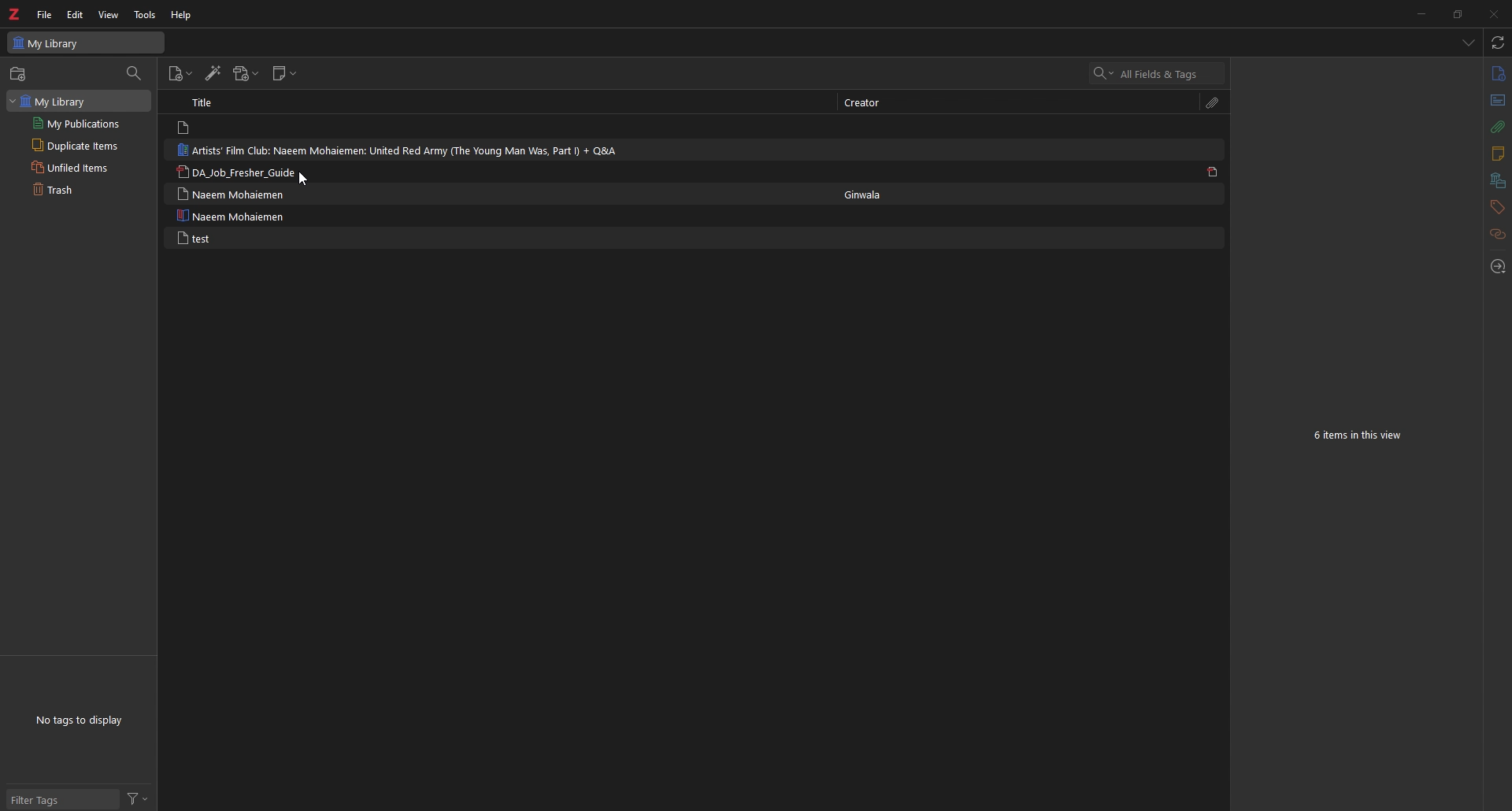 This screenshot has width=1512, height=811. What do you see at coordinates (1466, 42) in the screenshot?
I see `list all tabs` at bounding box center [1466, 42].